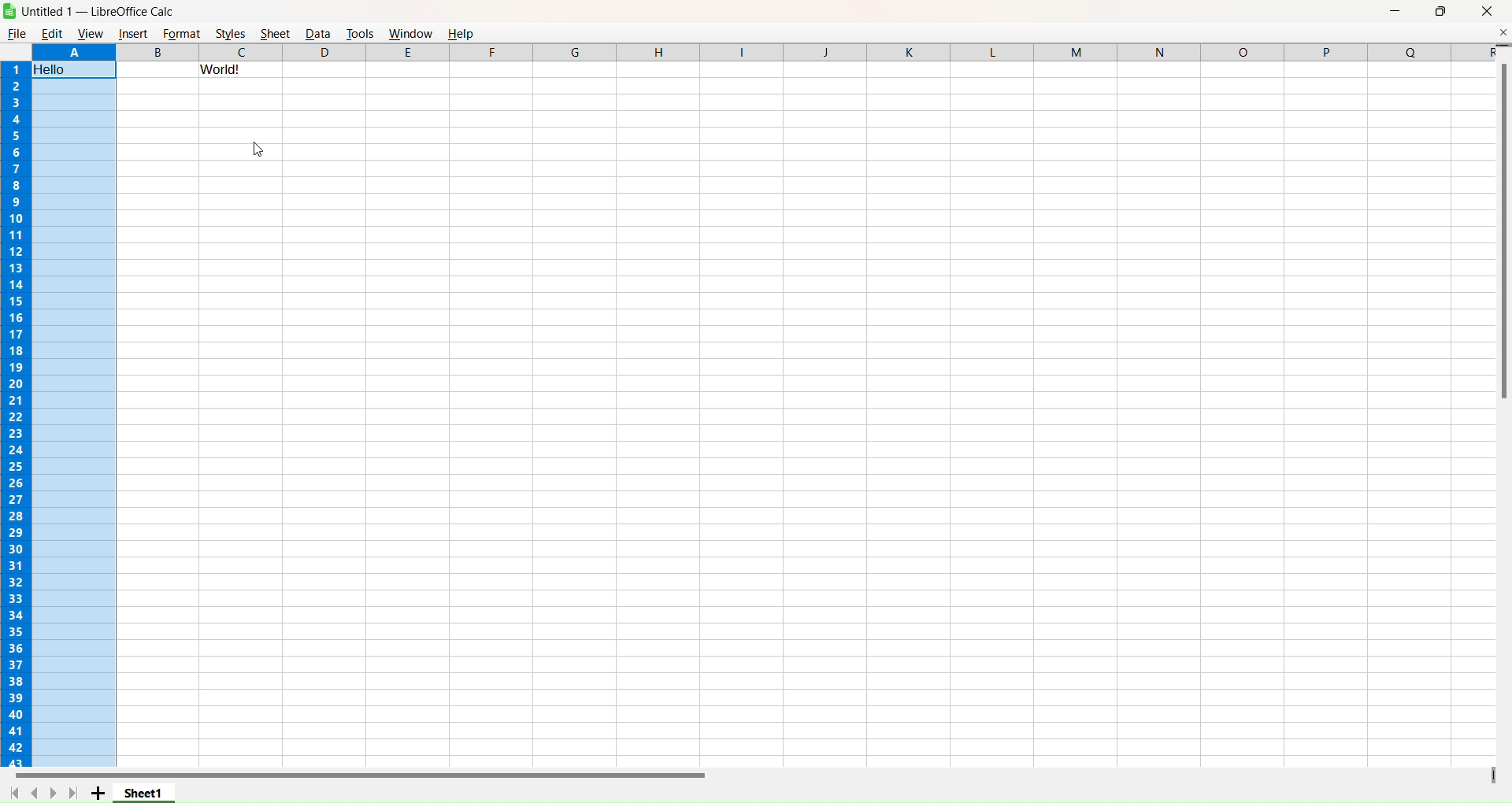 This screenshot has height=803, width=1512. What do you see at coordinates (98, 794) in the screenshot?
I see `Add New Sheet` at bounding box center [98, 794].